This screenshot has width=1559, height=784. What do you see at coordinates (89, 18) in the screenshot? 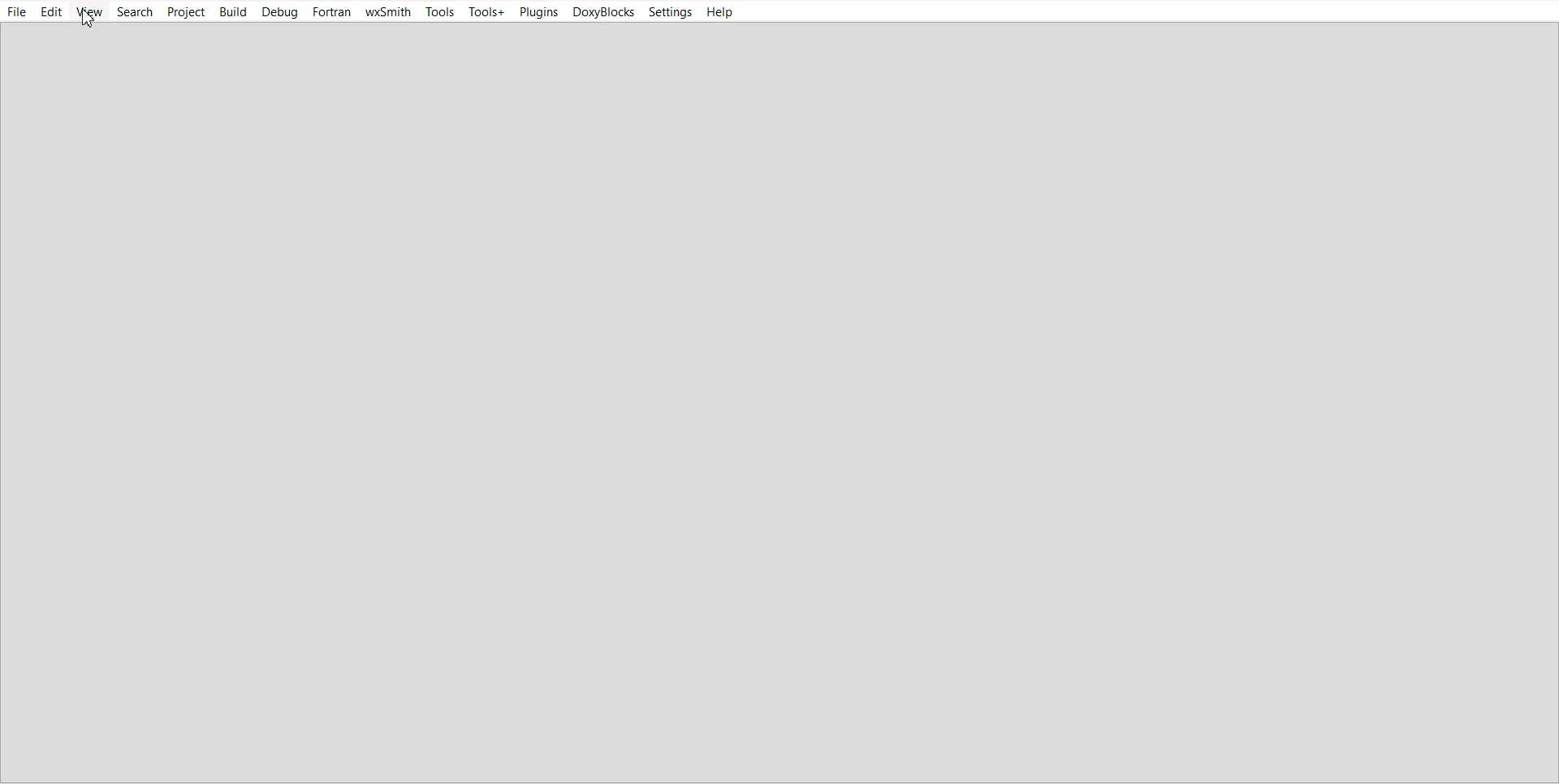
I see `Cursor` at bounding box center [89, 18].